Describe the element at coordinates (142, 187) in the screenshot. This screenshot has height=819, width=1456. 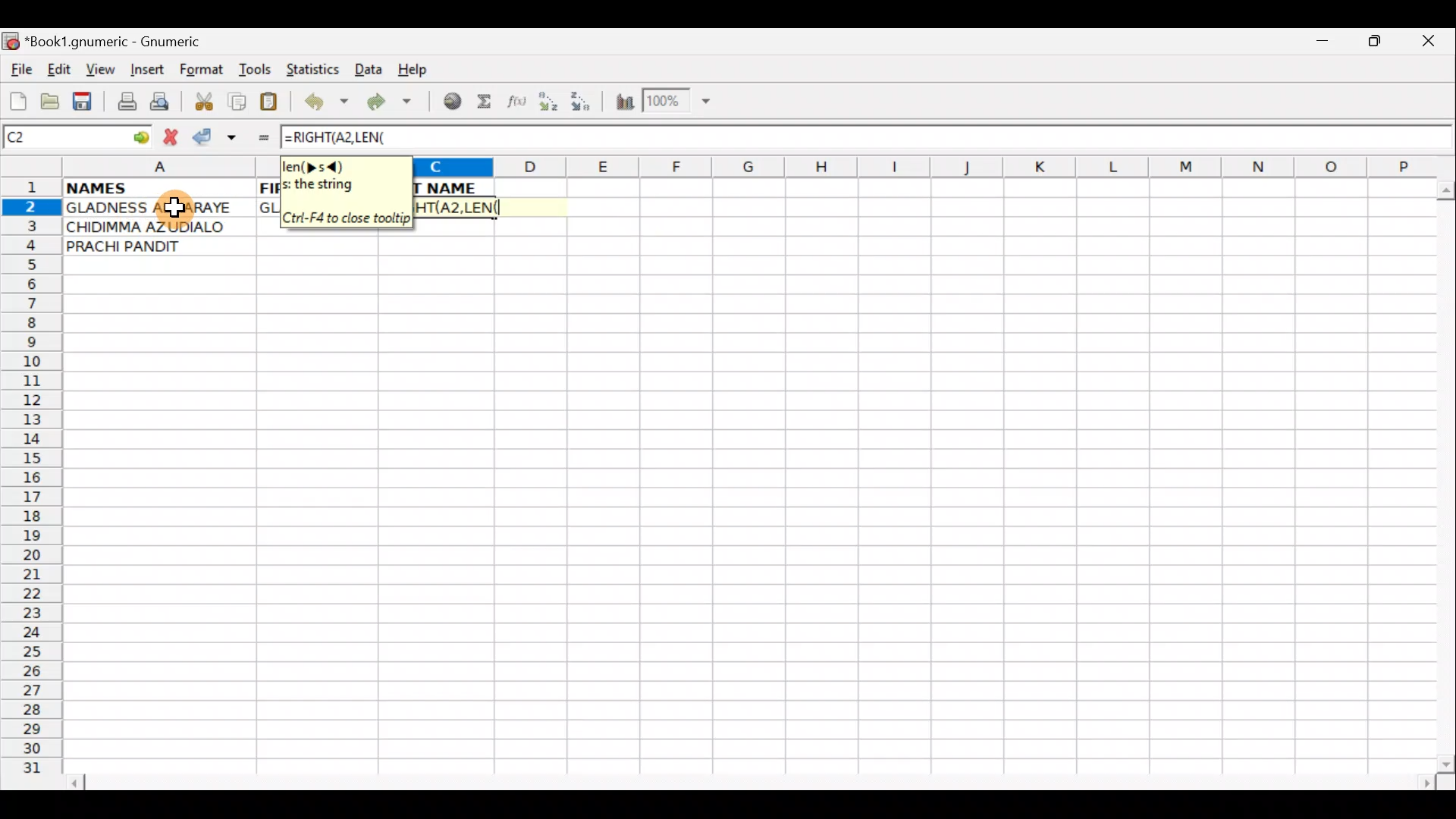
I see `NAMES` at that location.